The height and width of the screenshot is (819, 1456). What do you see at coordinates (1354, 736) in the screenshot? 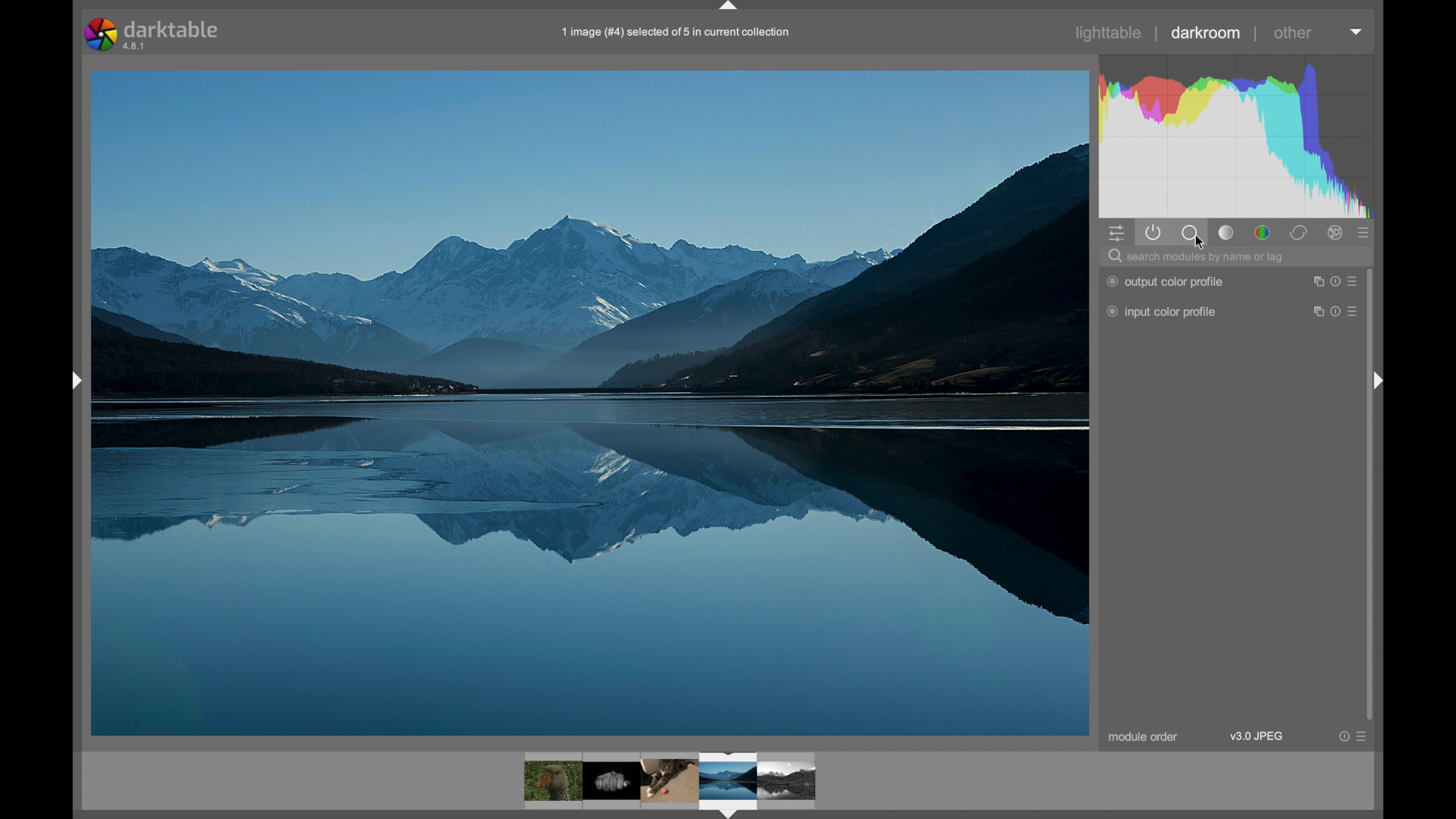
I see `more options` at bounding box center [1354, 736].